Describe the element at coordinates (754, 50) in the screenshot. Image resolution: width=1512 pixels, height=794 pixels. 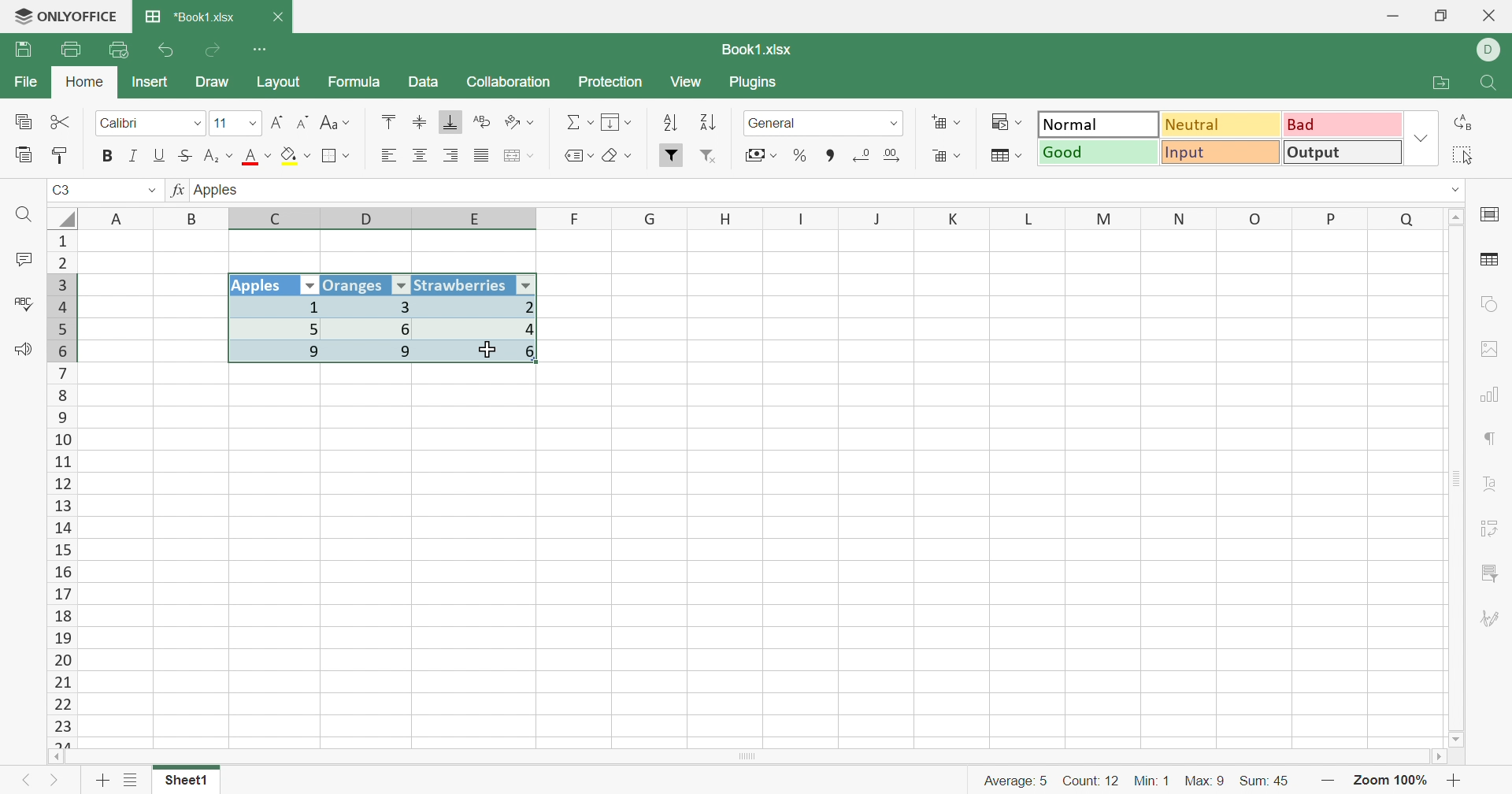
I see `Book1.xlsx` at that location.